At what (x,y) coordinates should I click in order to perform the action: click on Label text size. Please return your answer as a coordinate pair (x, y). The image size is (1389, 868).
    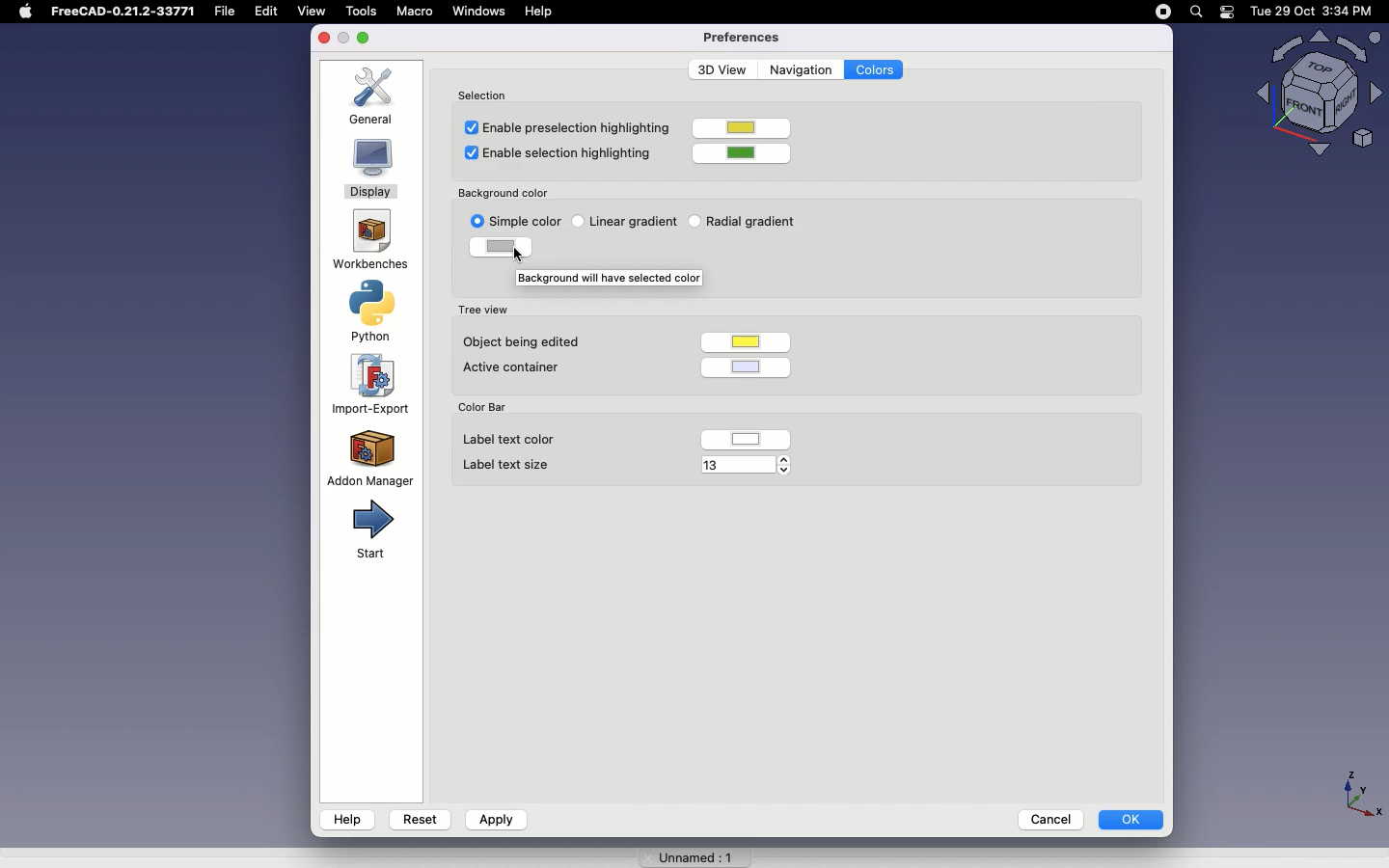
    Looking at the image, I should click on (507, 464).